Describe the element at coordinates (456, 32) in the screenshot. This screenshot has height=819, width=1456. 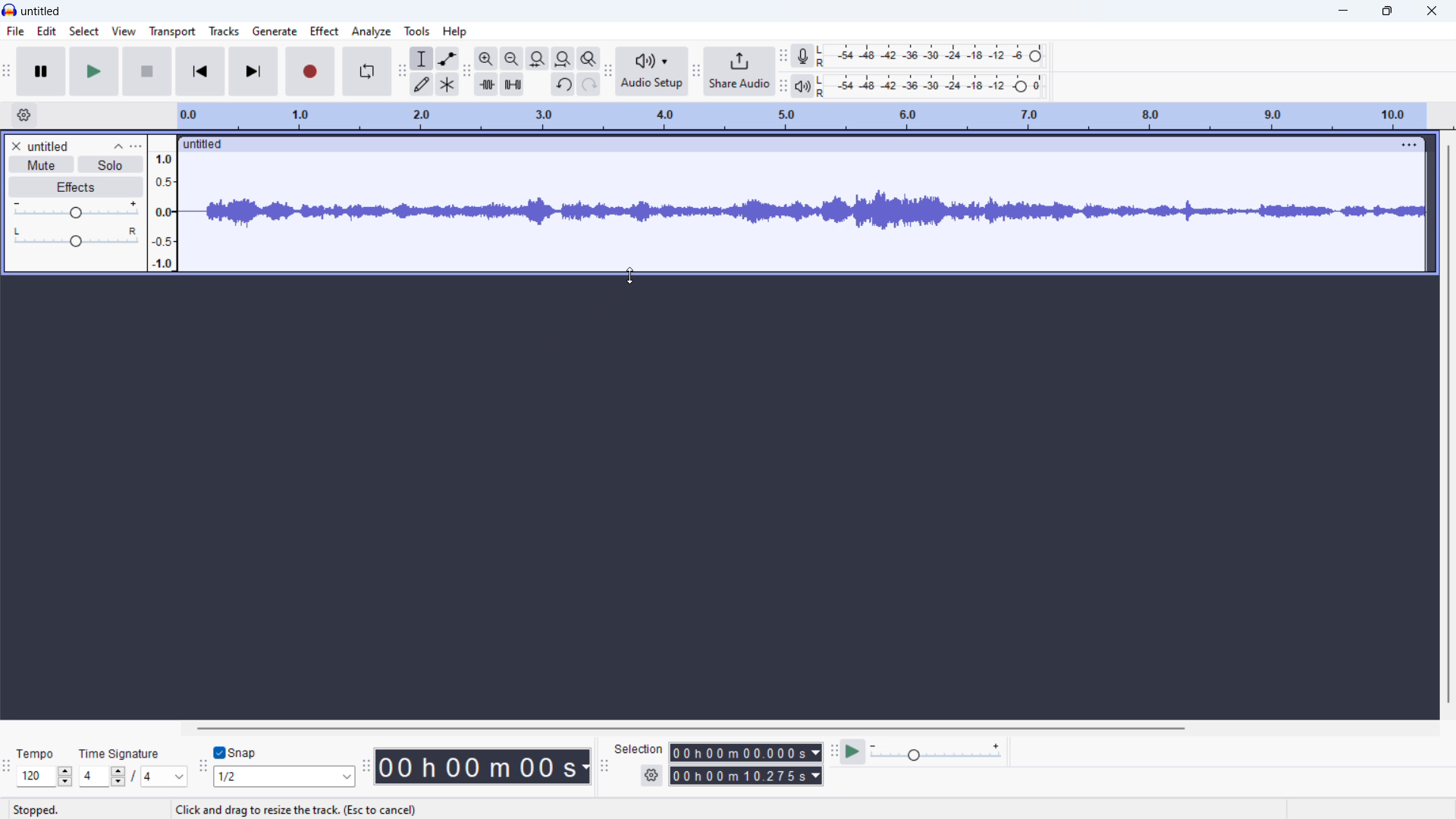
I see `help` at that location.